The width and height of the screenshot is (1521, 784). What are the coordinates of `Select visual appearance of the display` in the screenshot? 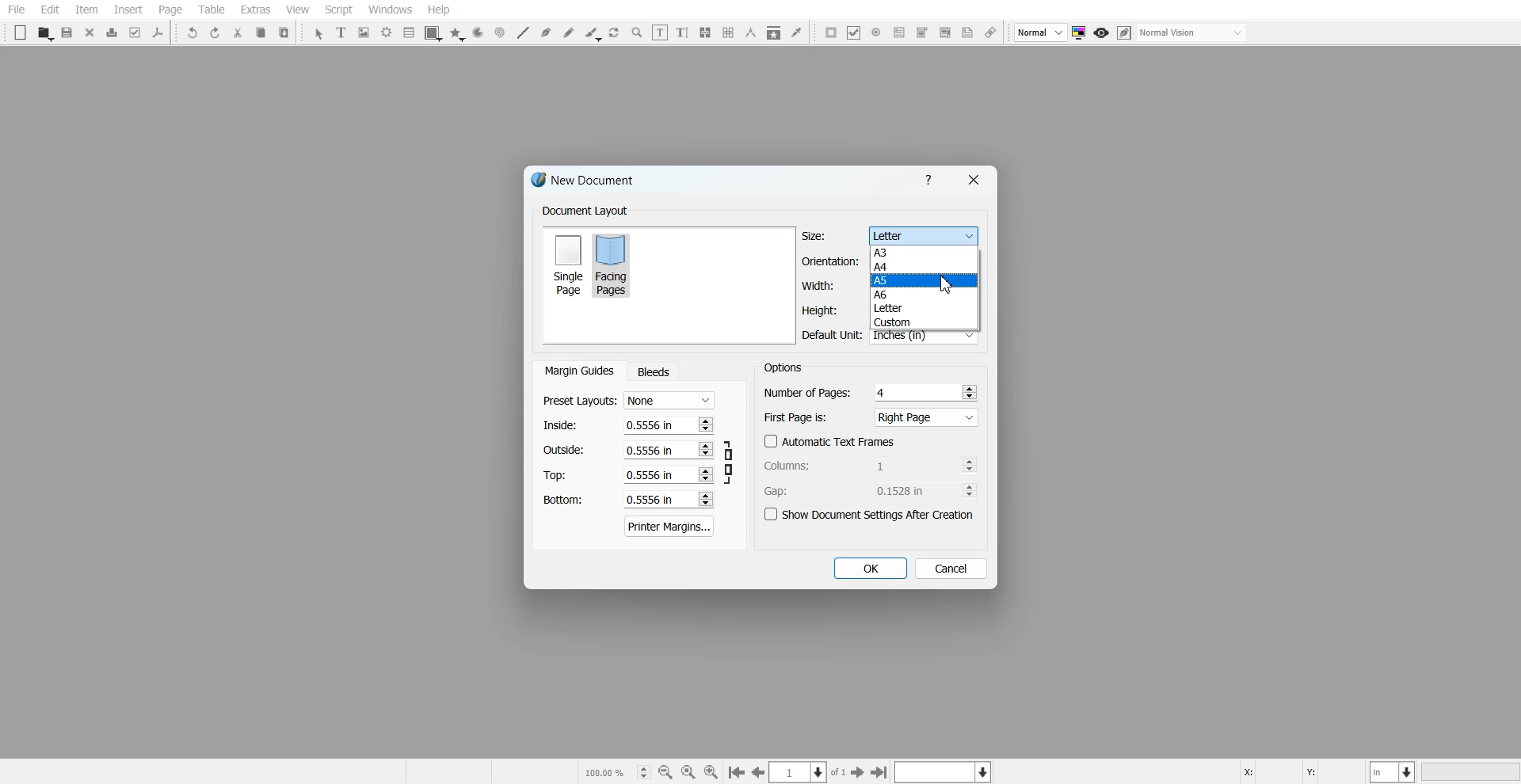 It's located at (1193, 33).